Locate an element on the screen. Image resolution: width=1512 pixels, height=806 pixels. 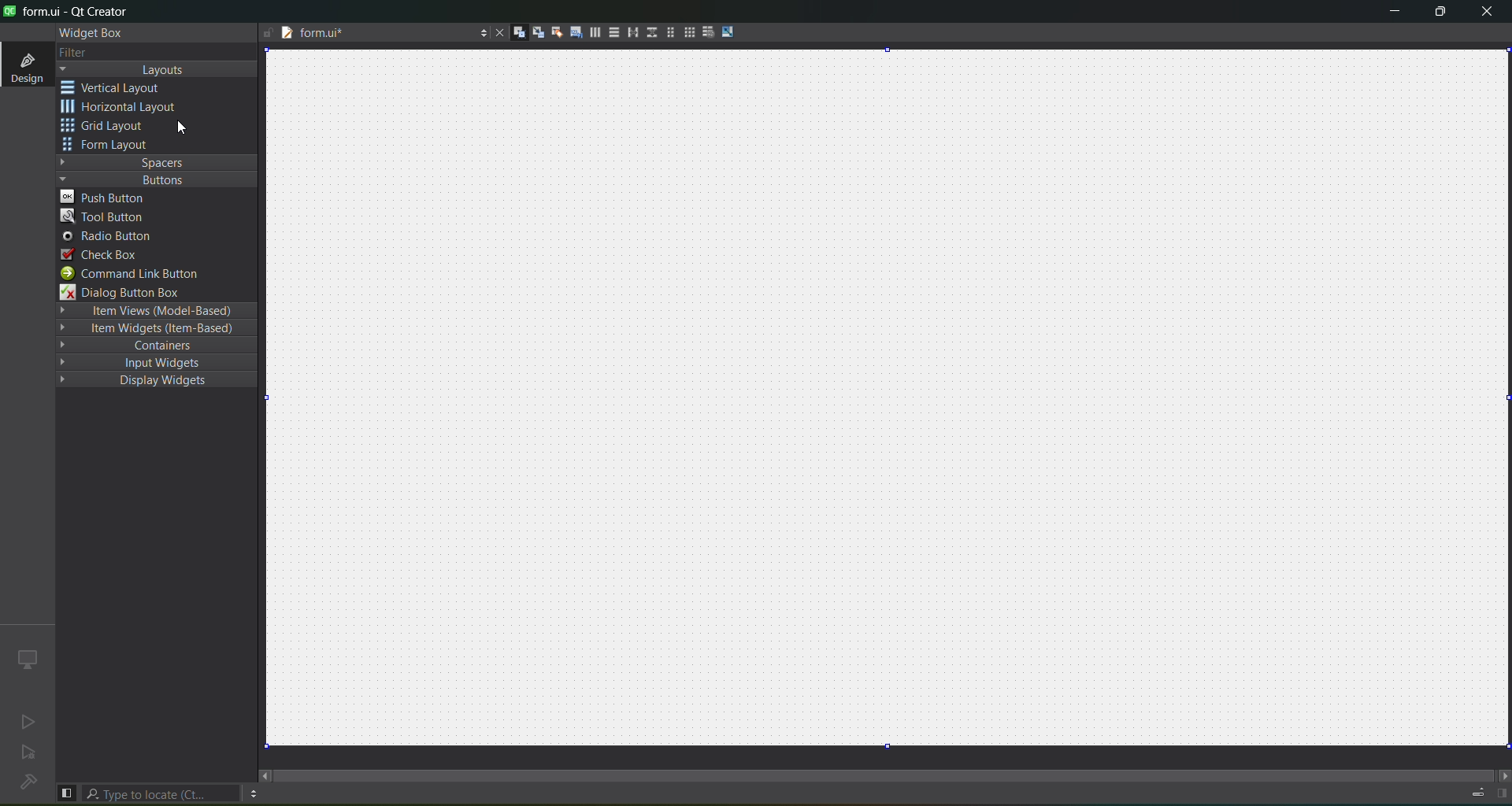
no active is located at coordinates (24, 723).